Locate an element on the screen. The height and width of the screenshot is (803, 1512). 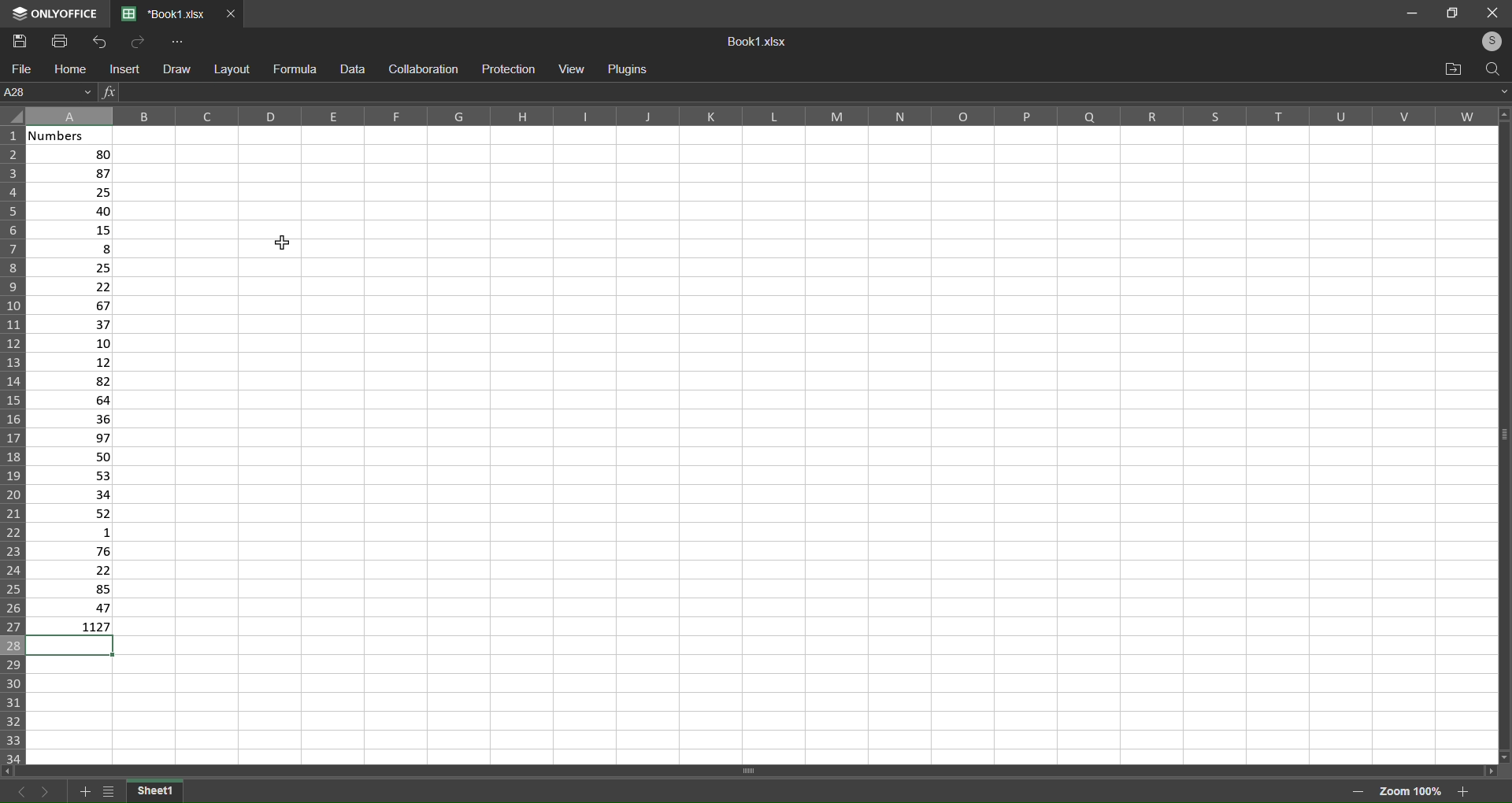
Numbers is located at coordinates (73, 135).